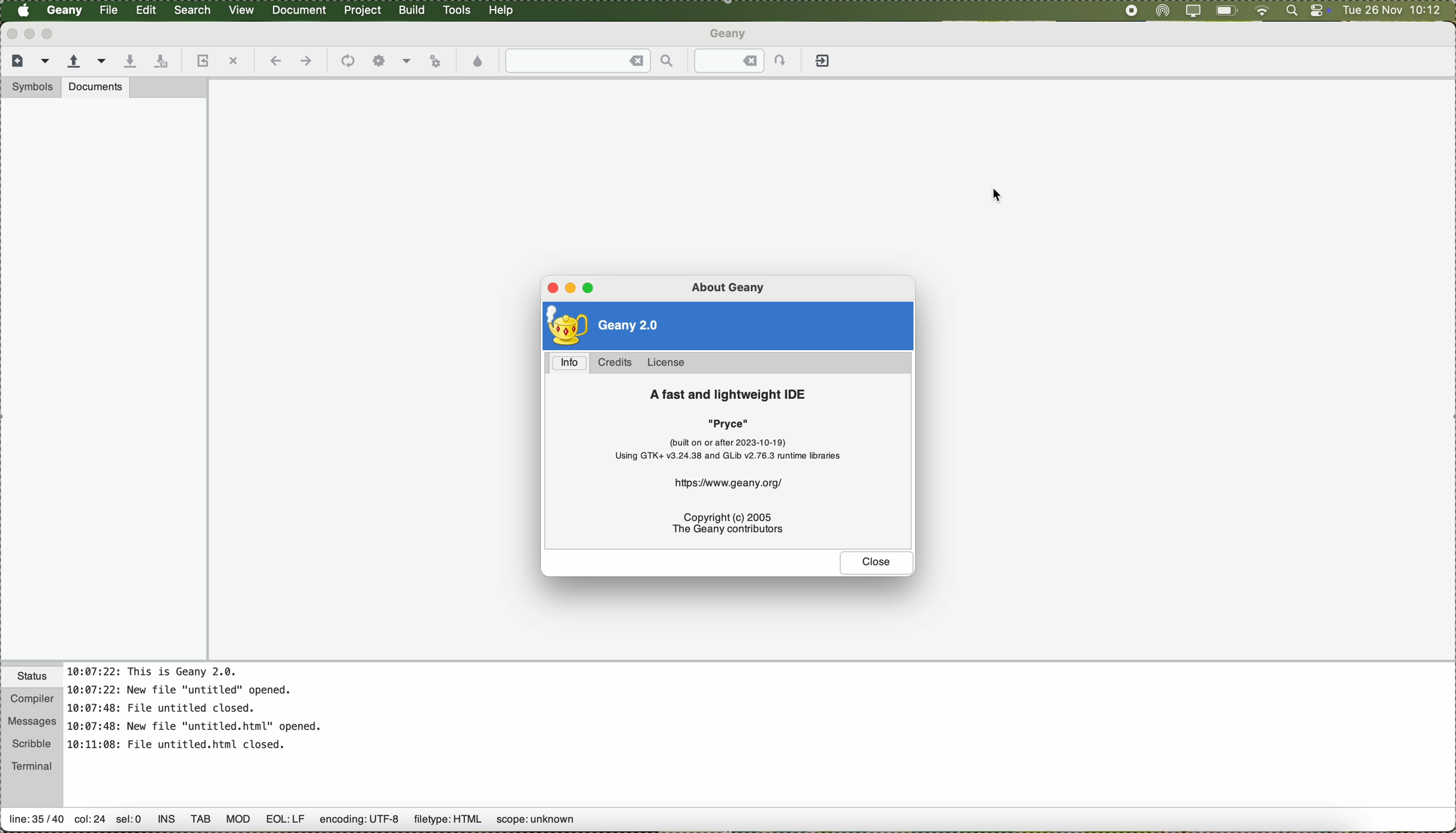  Describe the element at coordinates (538, 823) in the screenshot. I see `scope: unknown` at that location.